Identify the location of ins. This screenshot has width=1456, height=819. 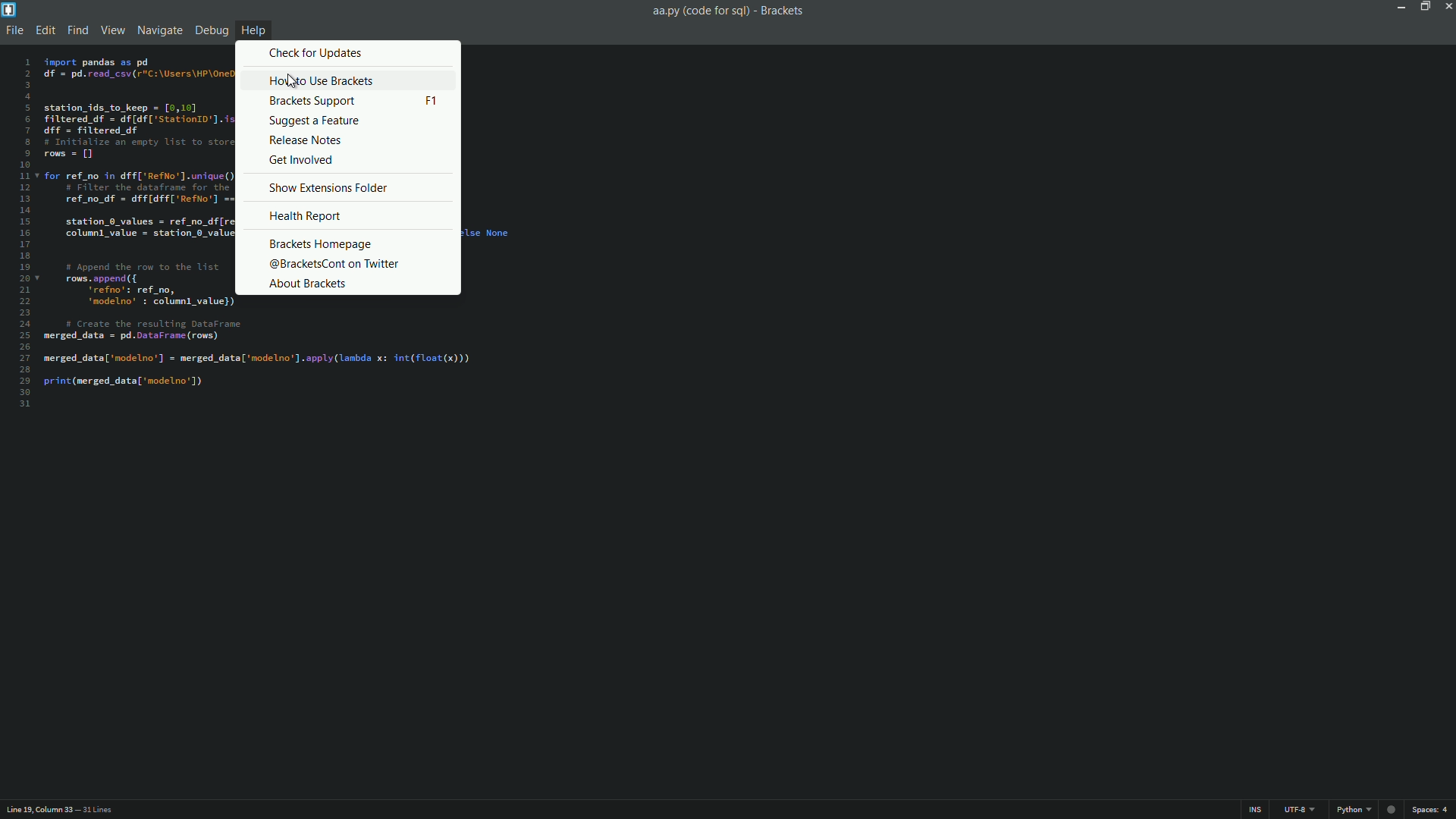
(1257, 810).